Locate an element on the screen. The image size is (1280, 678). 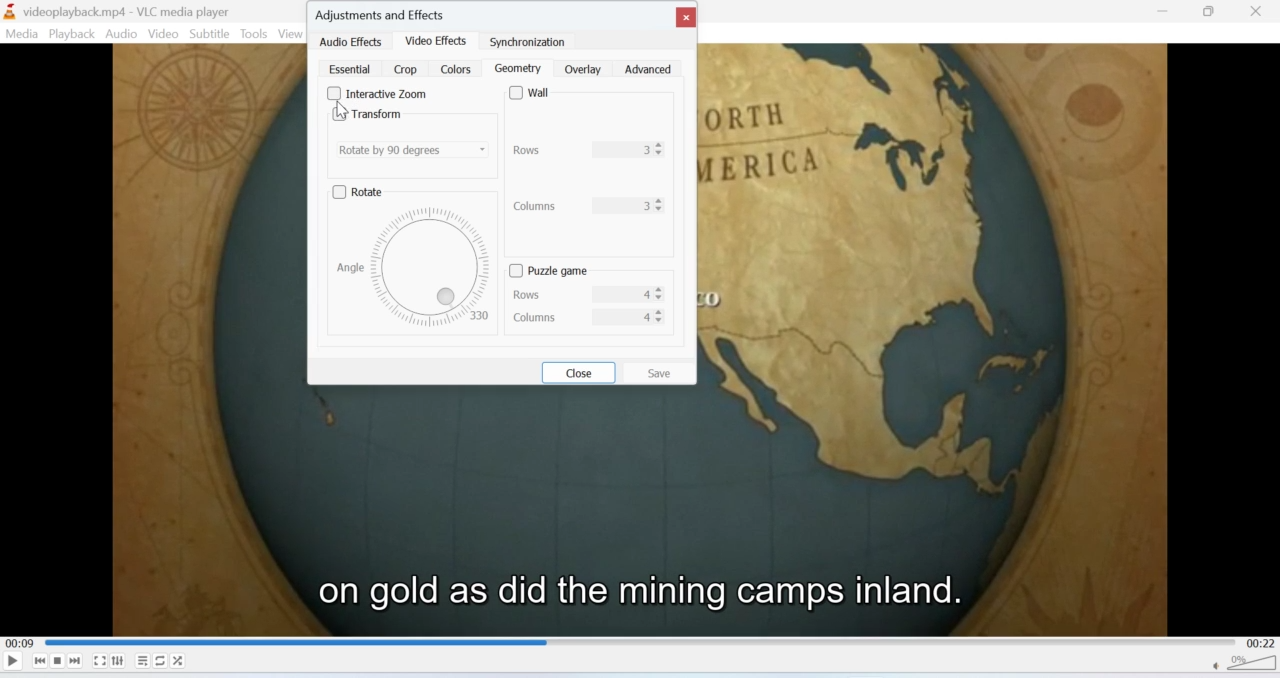
overlay is located at coordinates (580, 69).